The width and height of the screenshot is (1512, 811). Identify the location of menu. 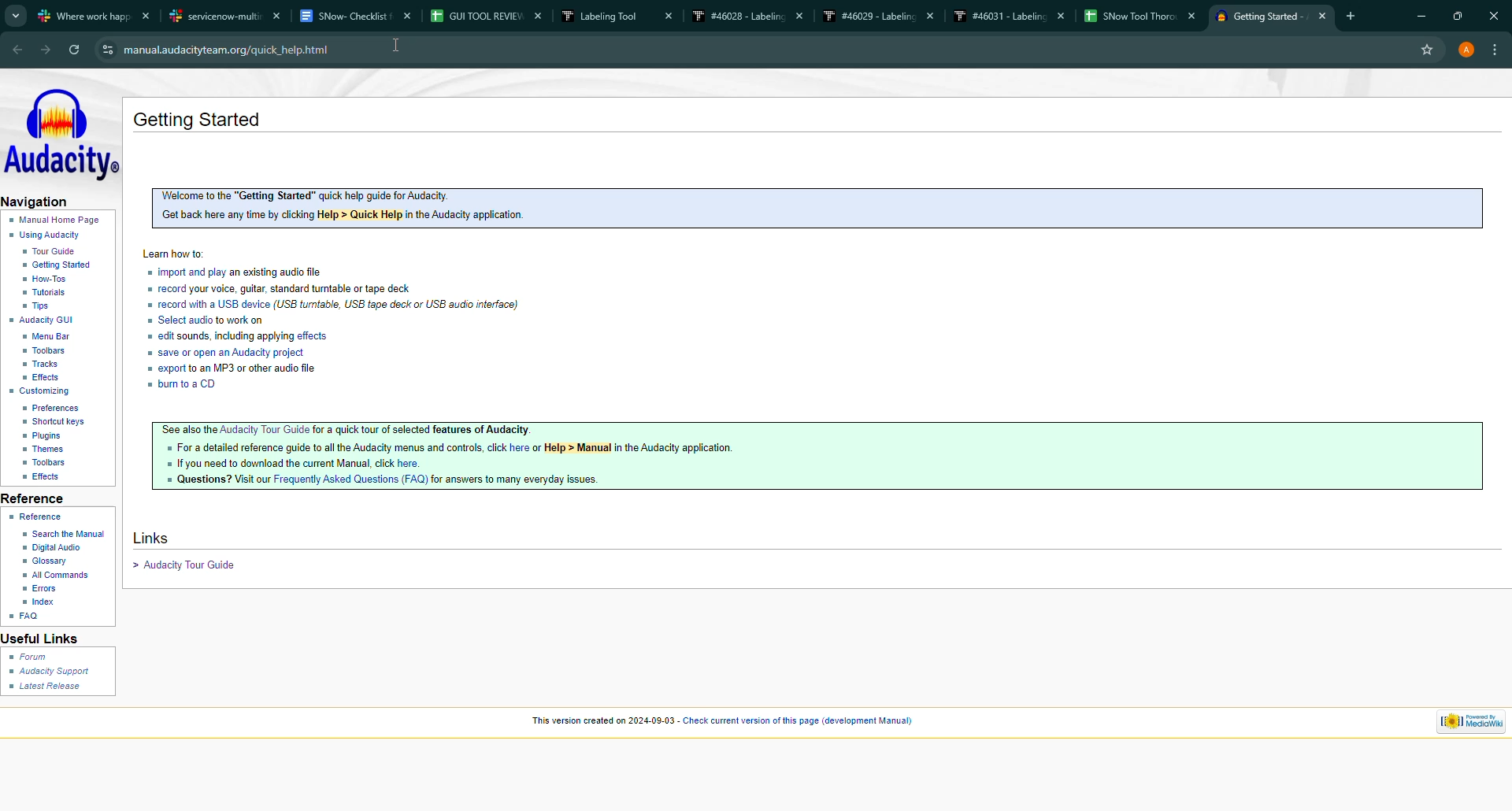
(50, 338).